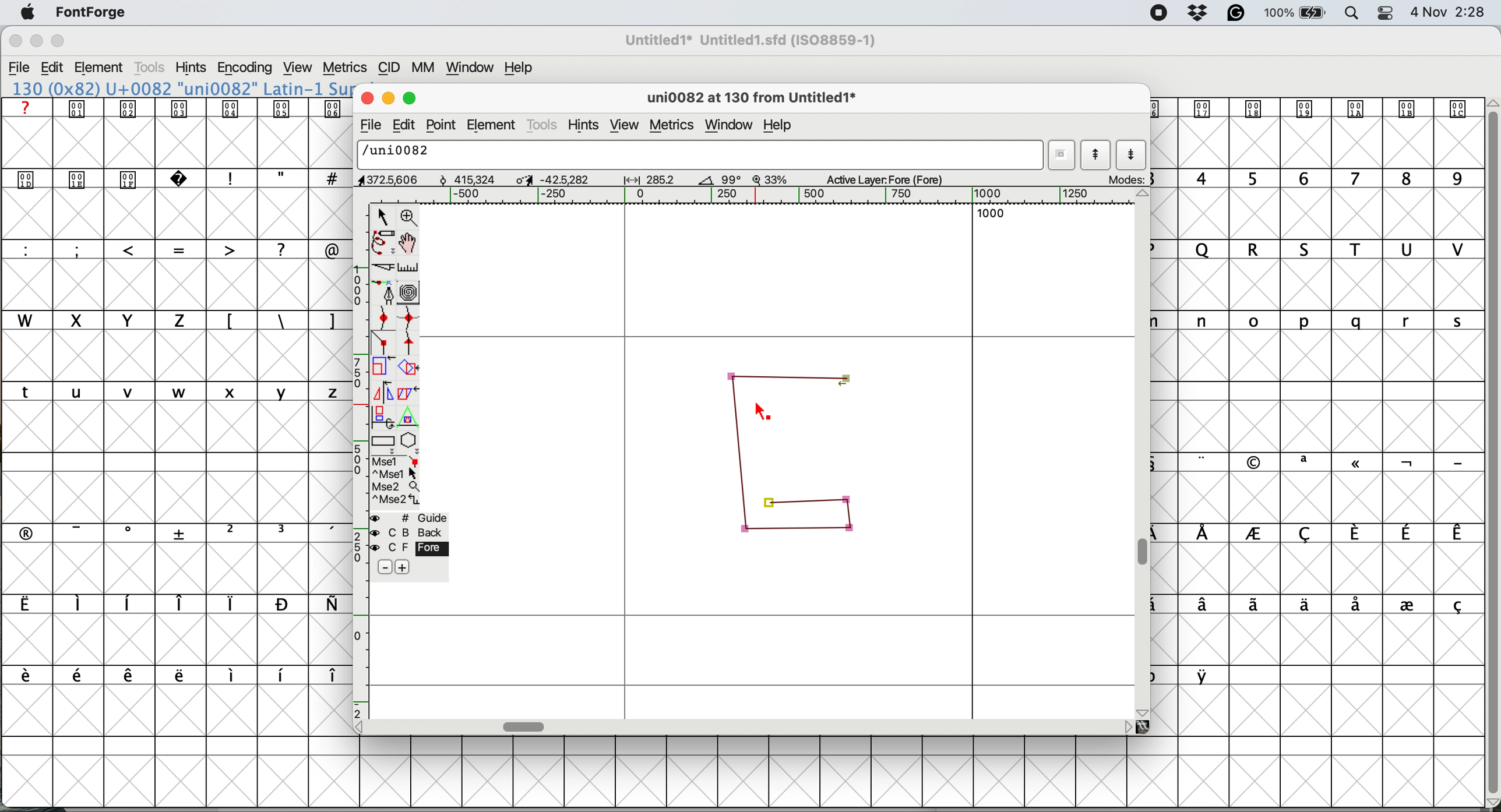 This screenshot has height=812, width=1501. I want to click on selector, so click(382, 218).